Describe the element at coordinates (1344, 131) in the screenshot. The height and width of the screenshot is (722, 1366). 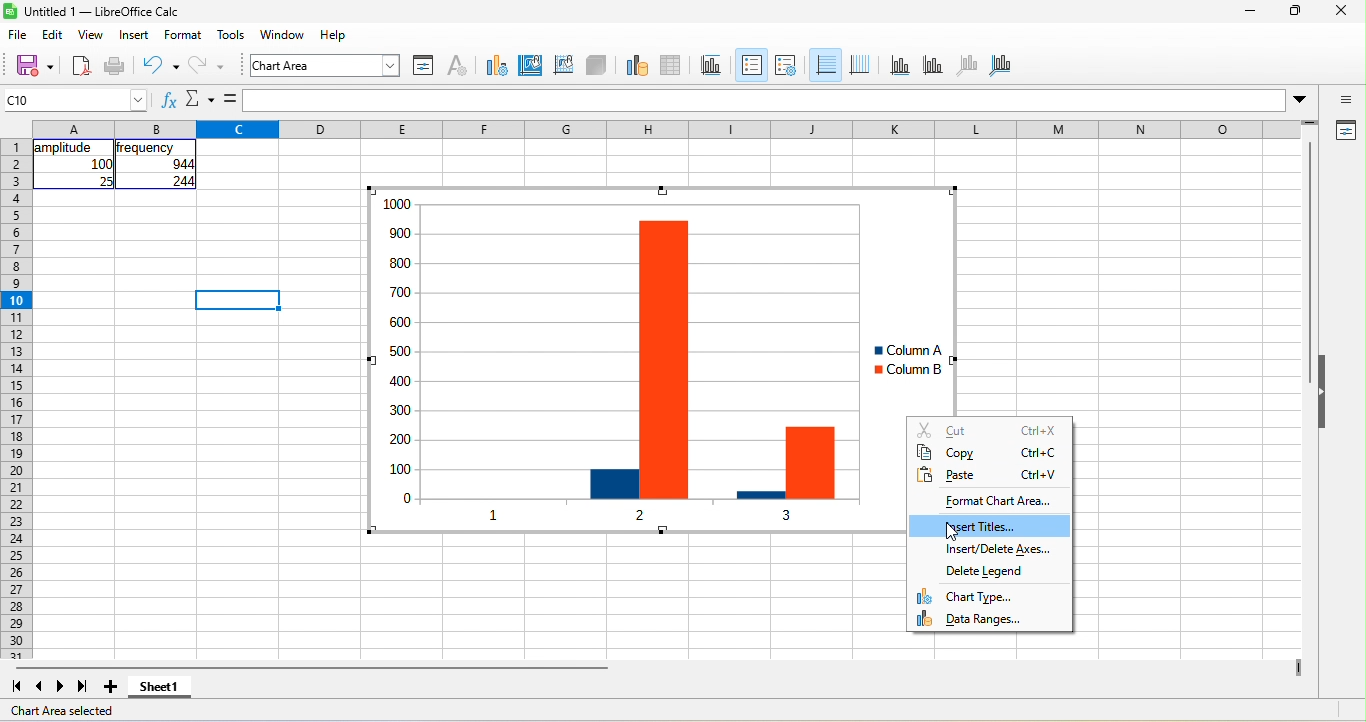
I see `properties` at that location.